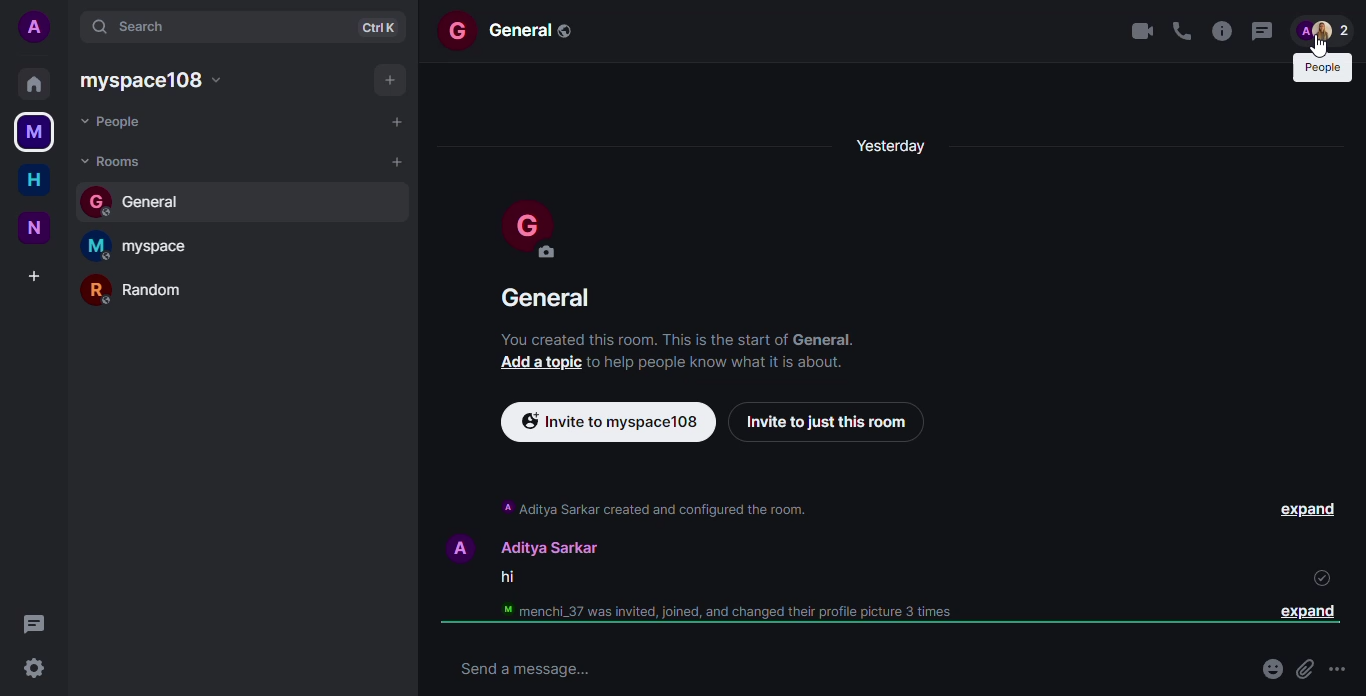  I want to click on add, so click(395, 78).